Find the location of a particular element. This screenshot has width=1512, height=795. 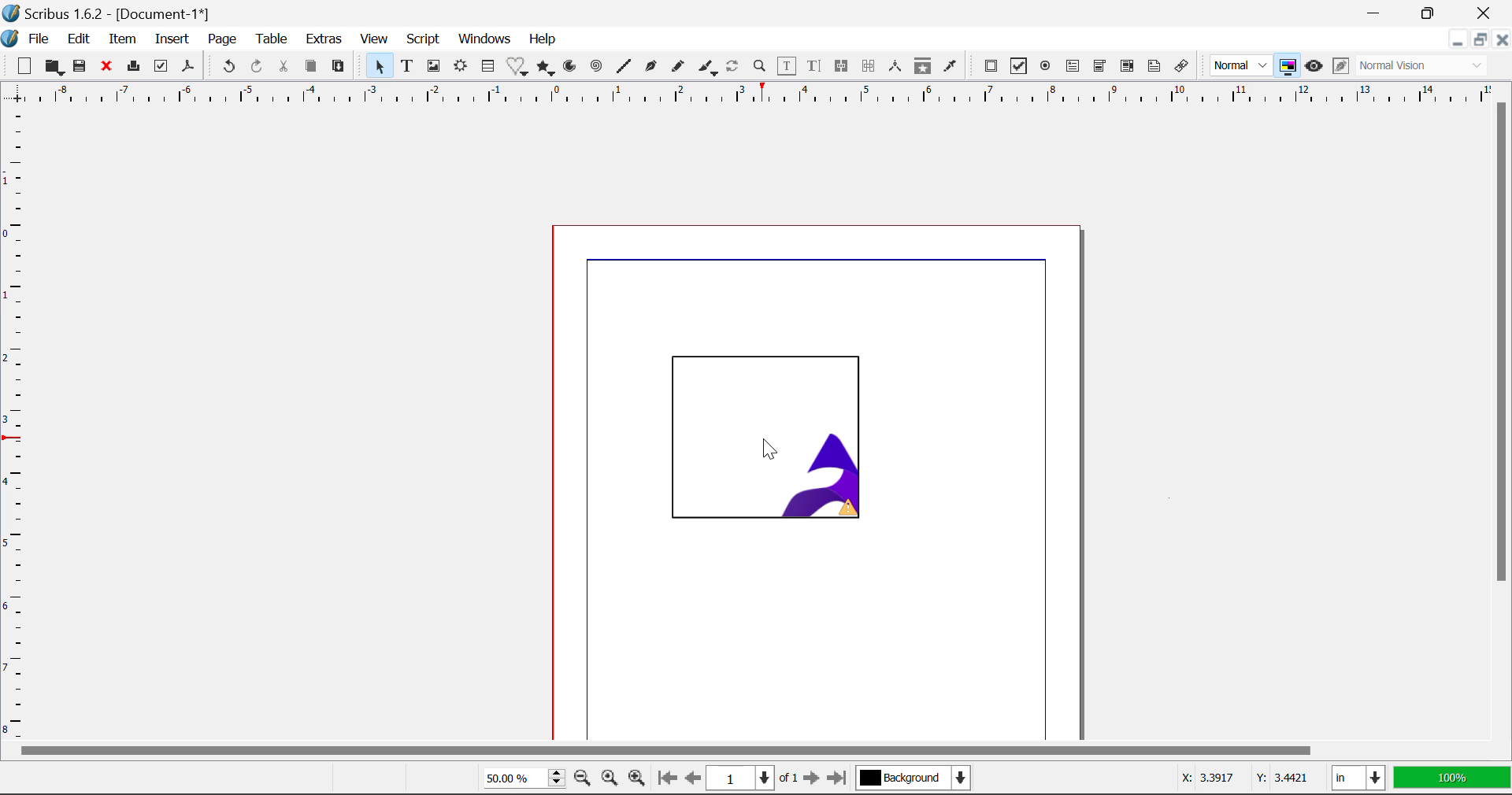

Image Preview Quality is located at coordinates (1241, 66).